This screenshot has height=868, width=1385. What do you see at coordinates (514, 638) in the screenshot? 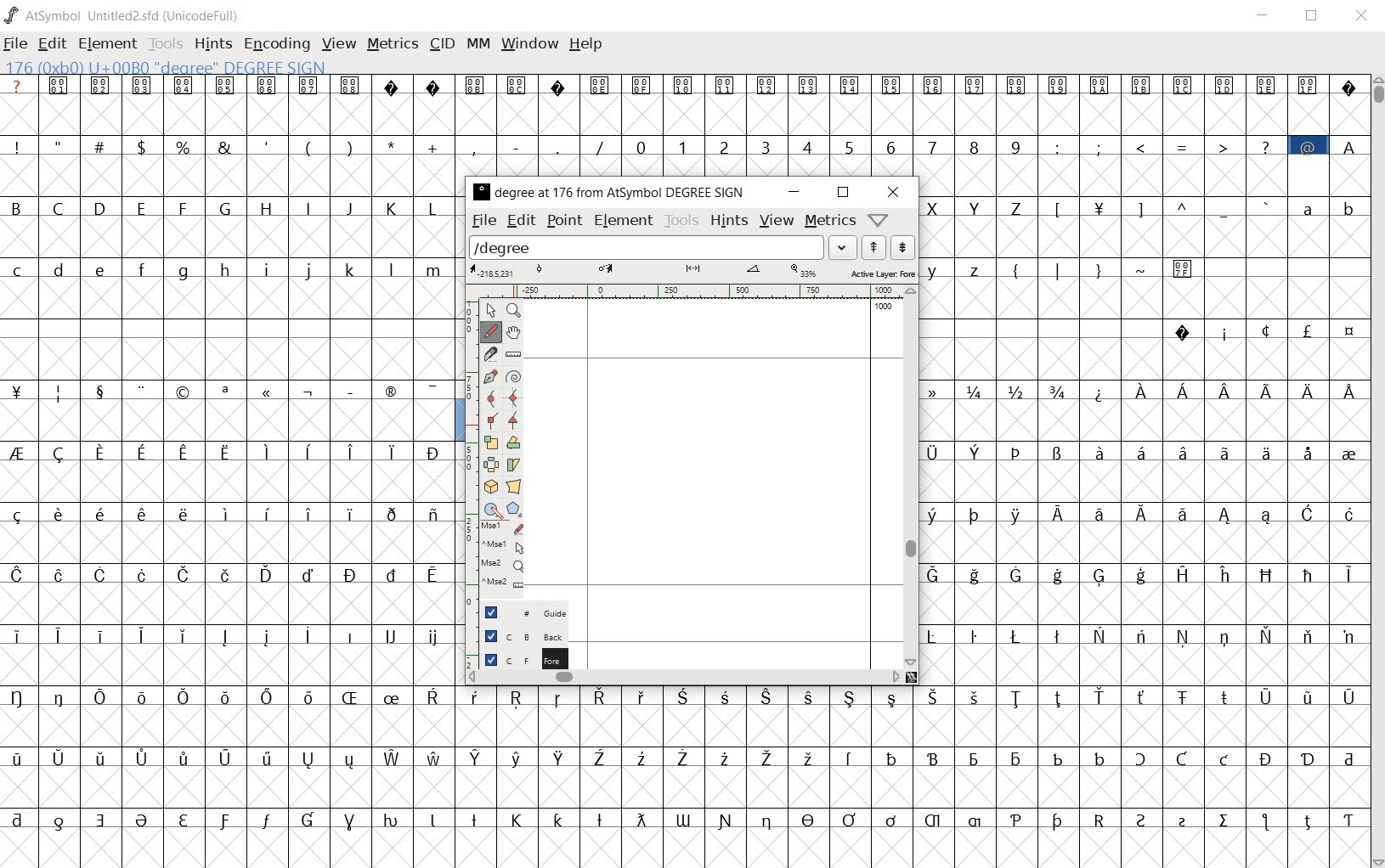
I see `background` at bounding box center [514, 638].